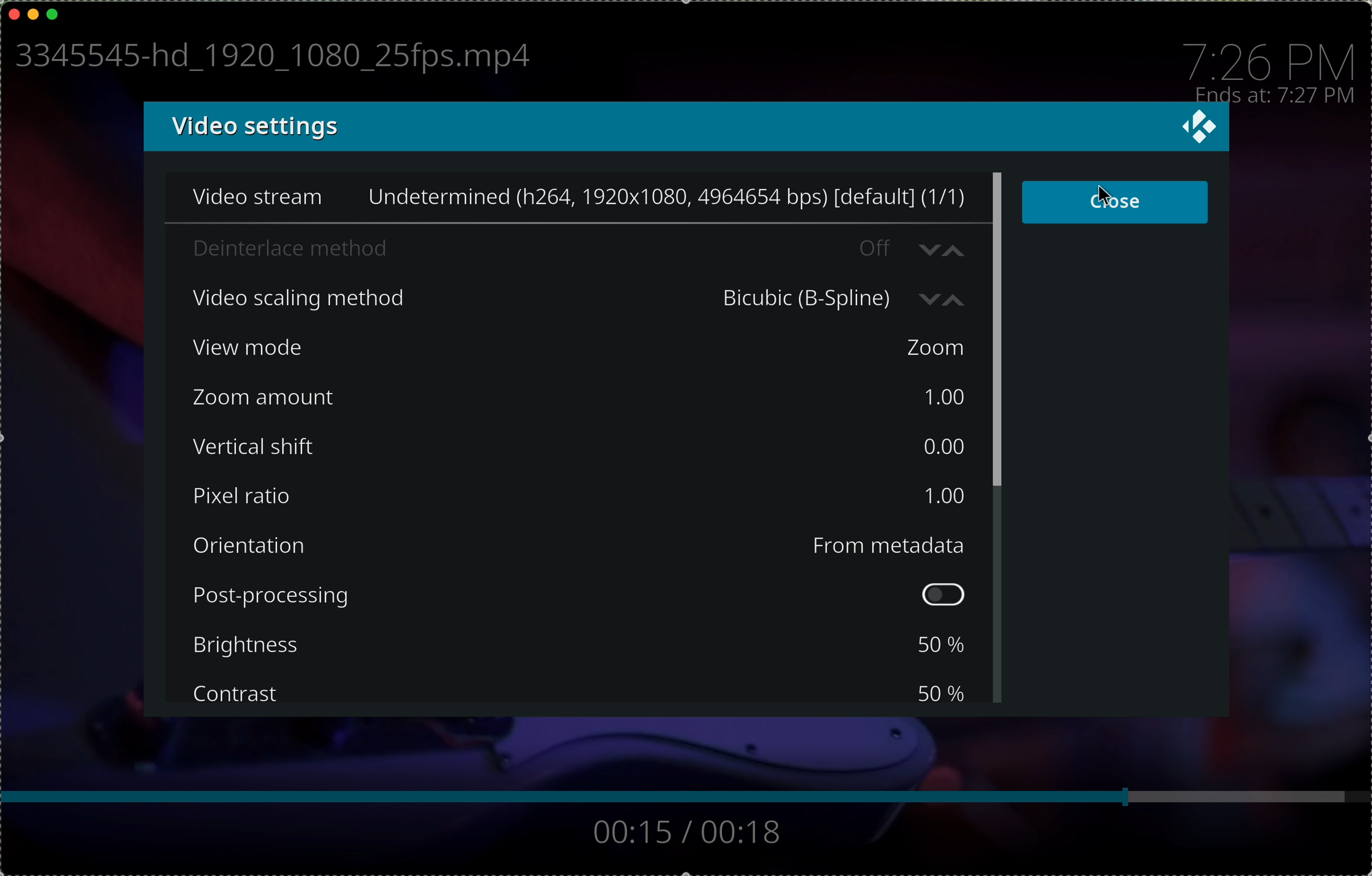 Image resolution: width=1372 pixels, height=876 pixels. I want to click on 1.00, so click(944, 397).